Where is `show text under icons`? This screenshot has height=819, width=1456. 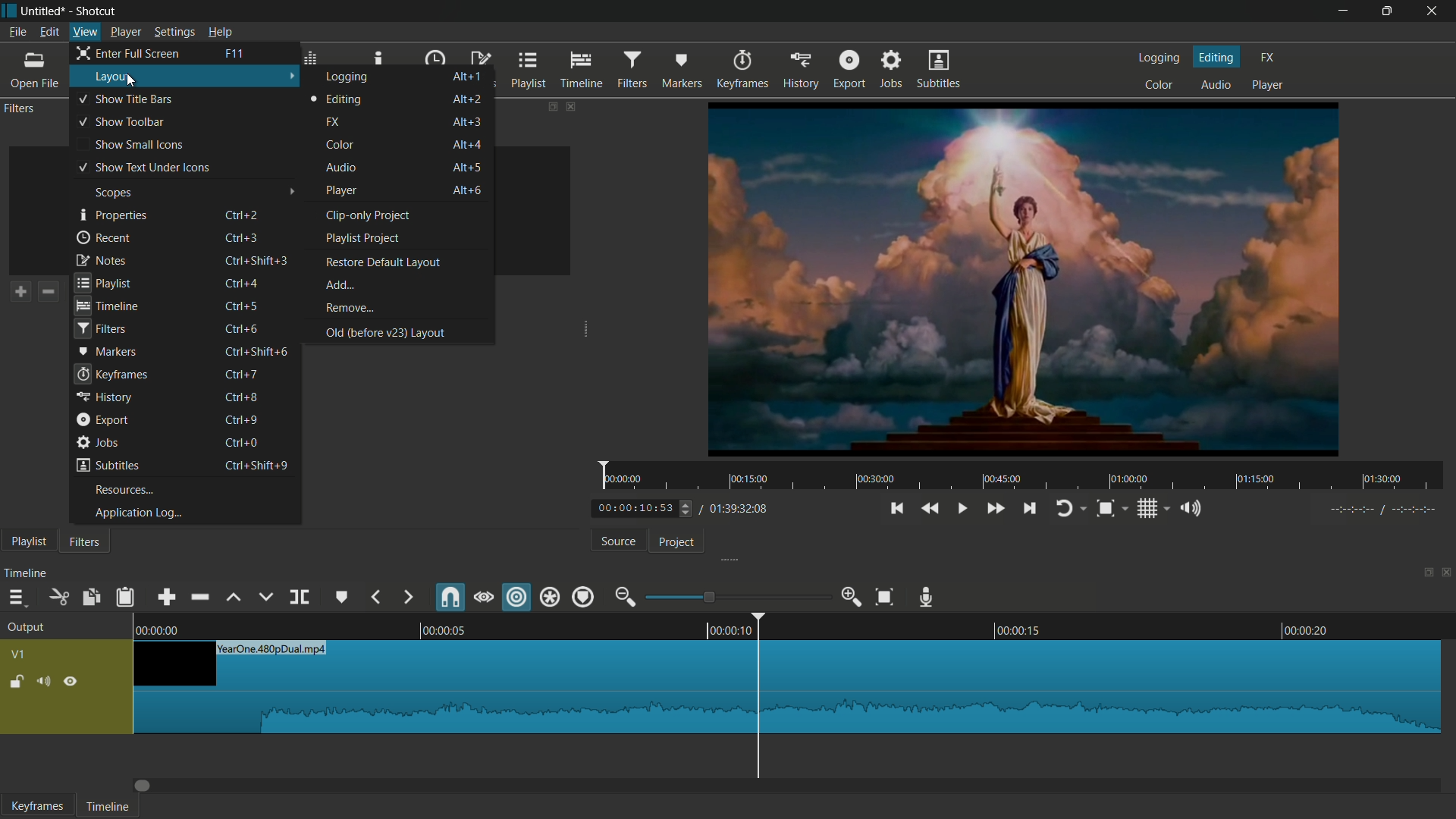
show text under icons is located at coordinates (143, 168).